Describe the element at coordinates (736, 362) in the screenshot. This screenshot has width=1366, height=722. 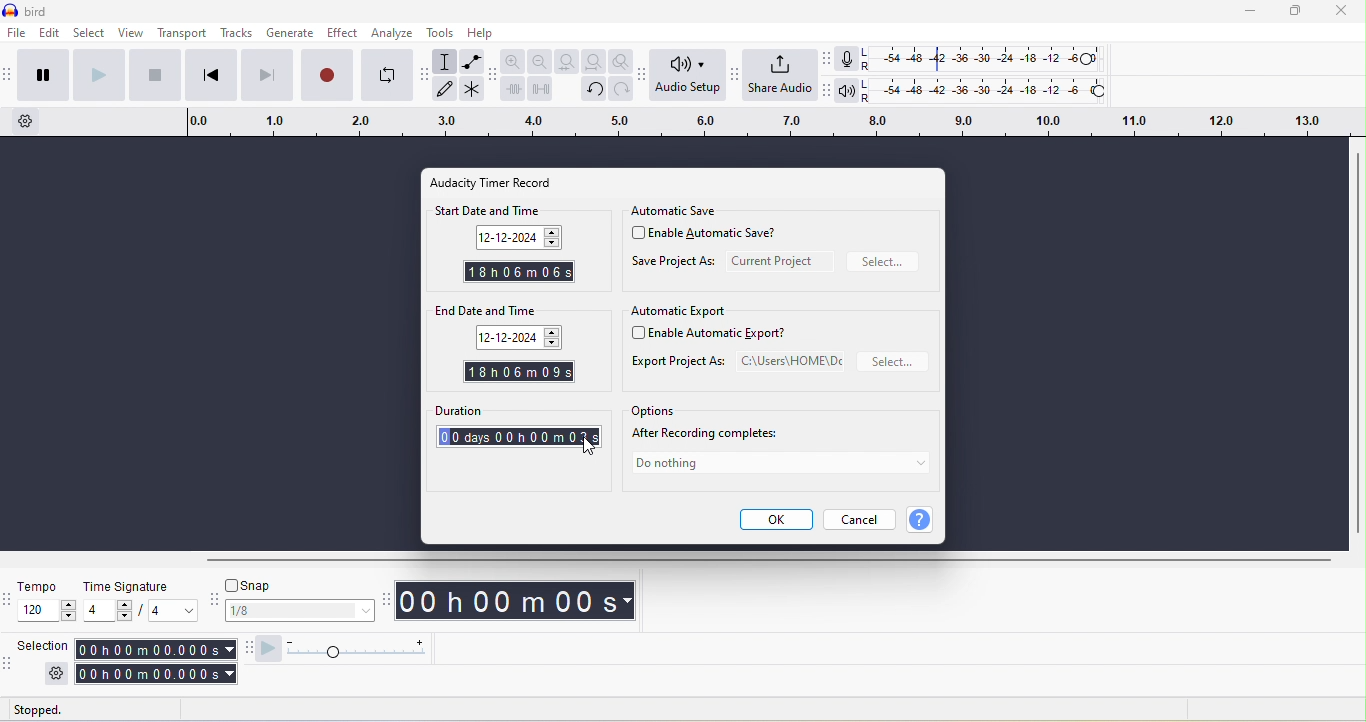
I see `export project as` at that location.